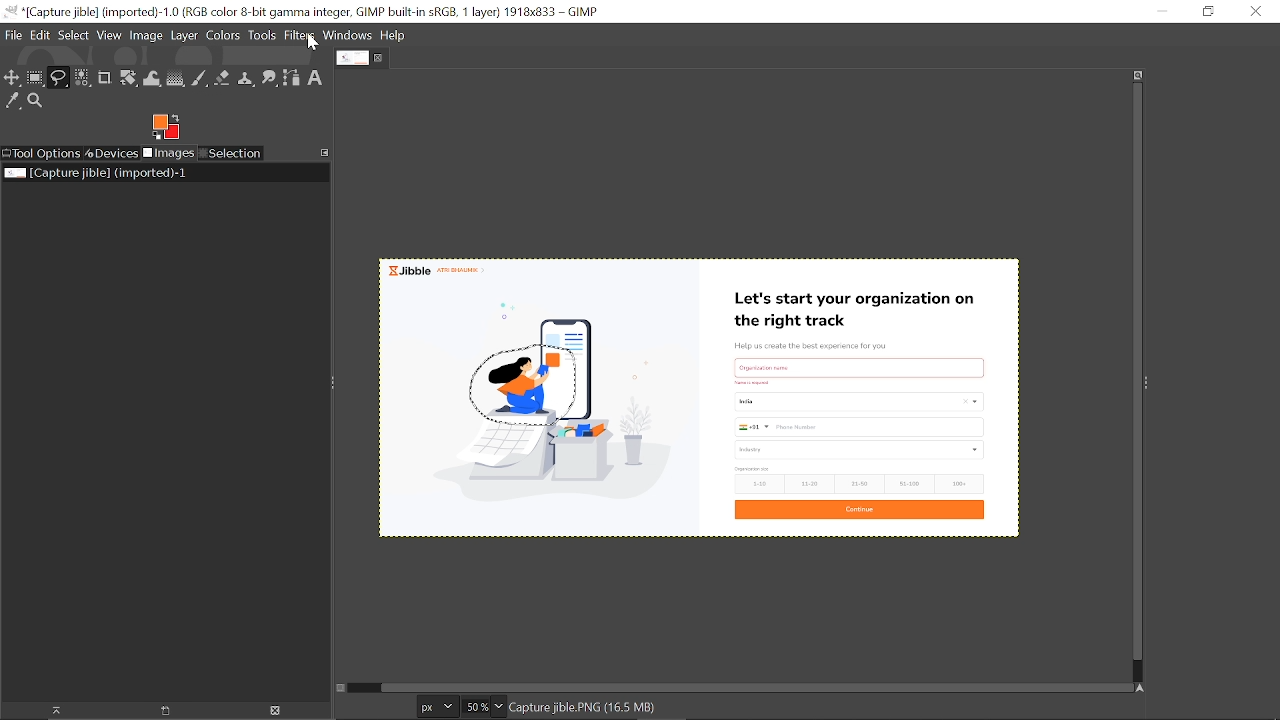 Image resolution: width=1280 pixels, height=720 pixels. Describe the element at coordinates (1151, 381) in the screenshot. I see `Sidebar menu` at that location.